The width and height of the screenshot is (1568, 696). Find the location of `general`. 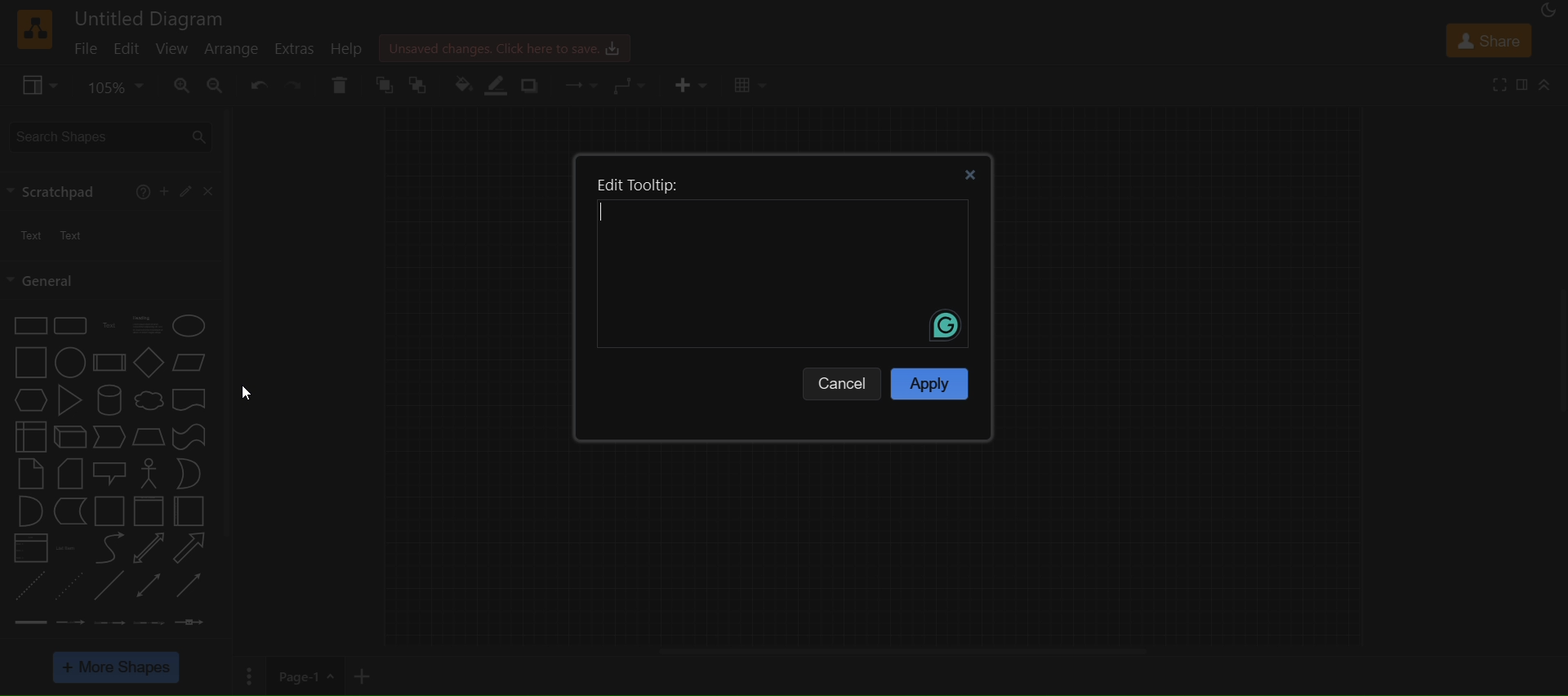

general is located at coordinates (44, 280).